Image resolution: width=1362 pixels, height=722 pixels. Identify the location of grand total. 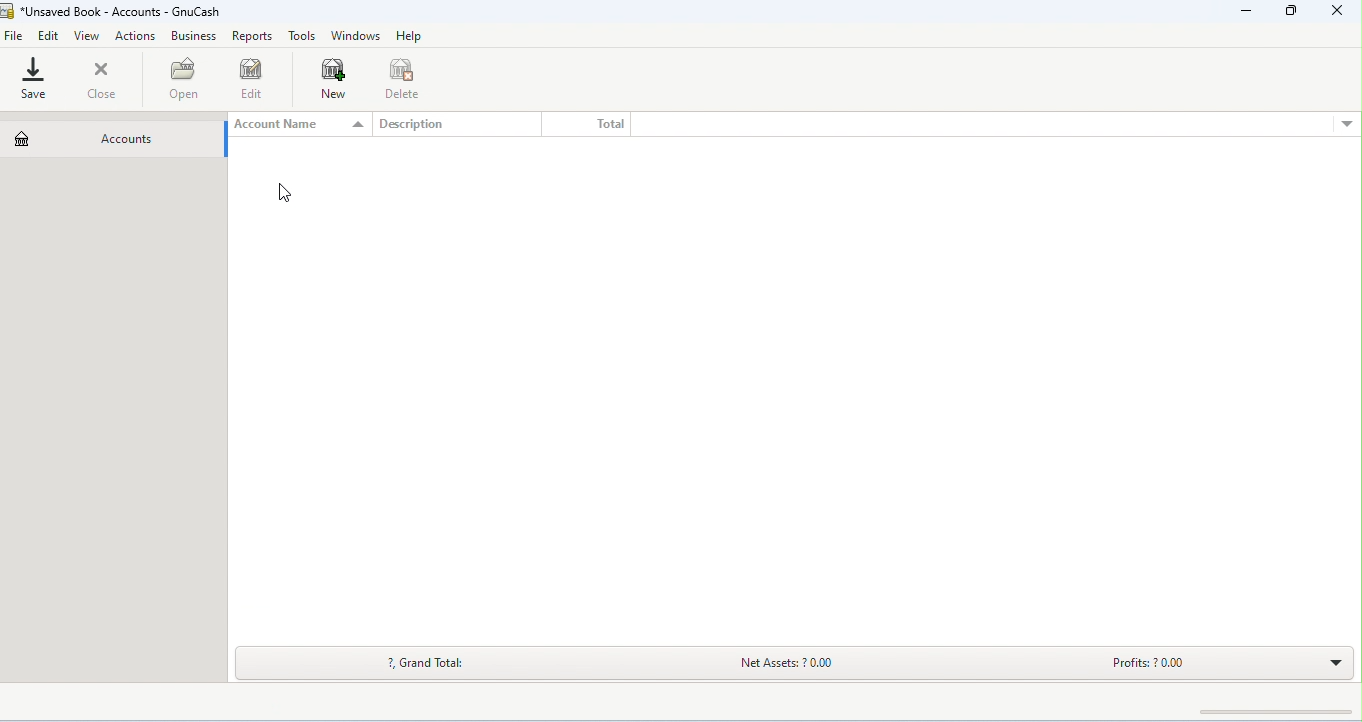
(433, 664).